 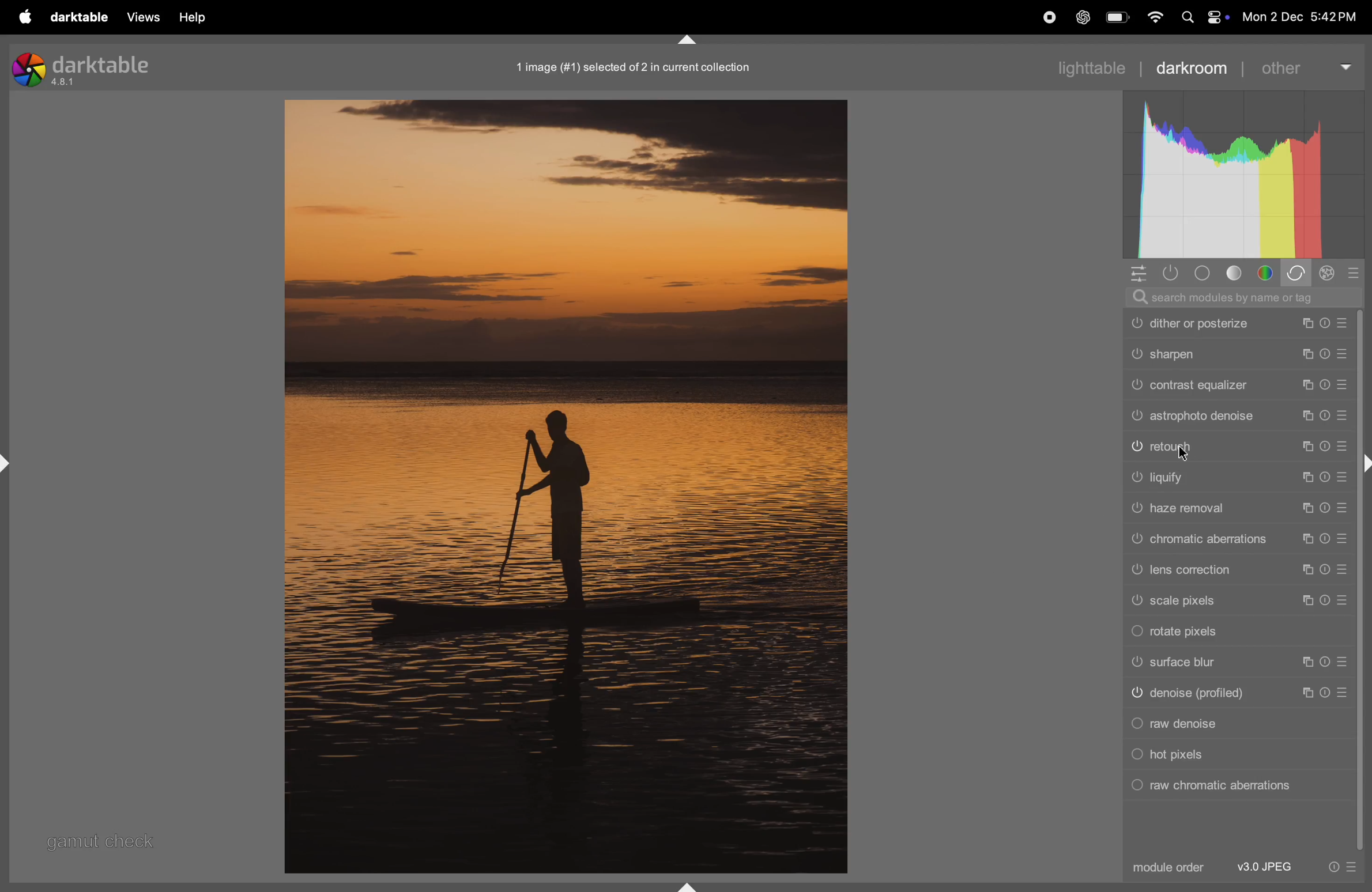 What do you see at coordinates (1153, 18) in the screenshot?
I see `wifi` at bounding box center [1153, 18].